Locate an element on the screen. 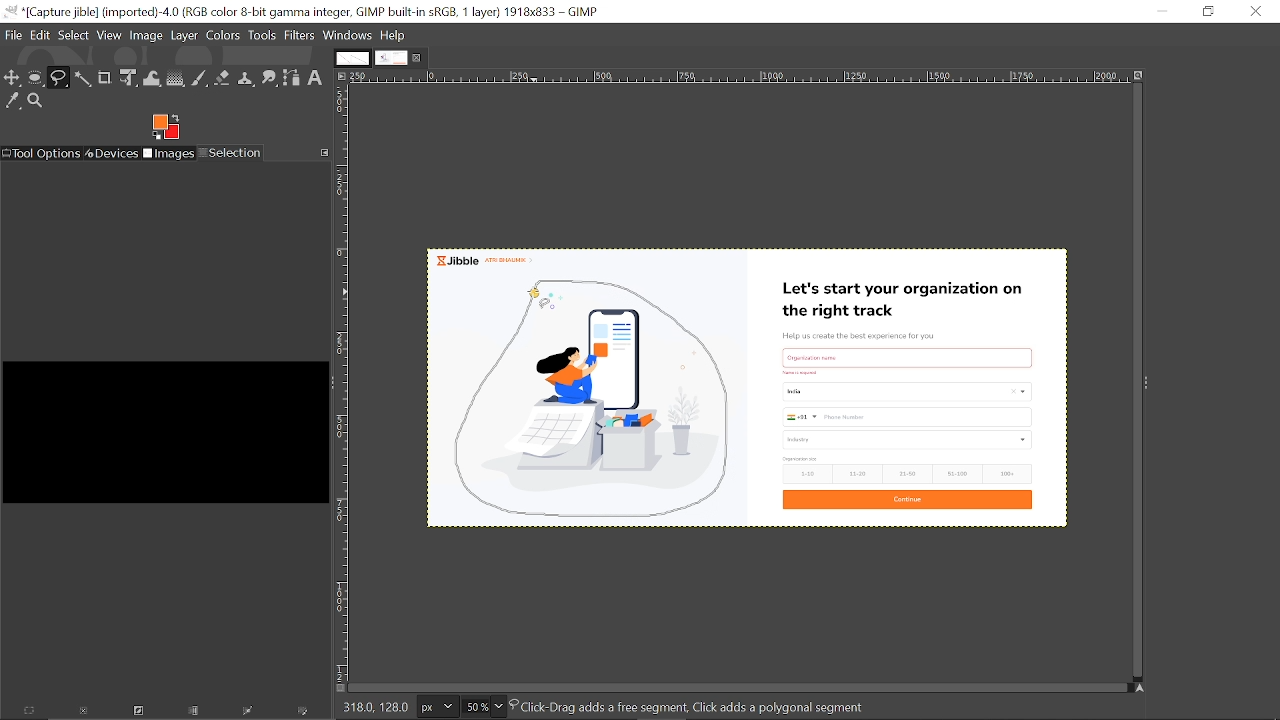 This screenshot has width=1280, height=720.  is located at coordinates (262, 35).